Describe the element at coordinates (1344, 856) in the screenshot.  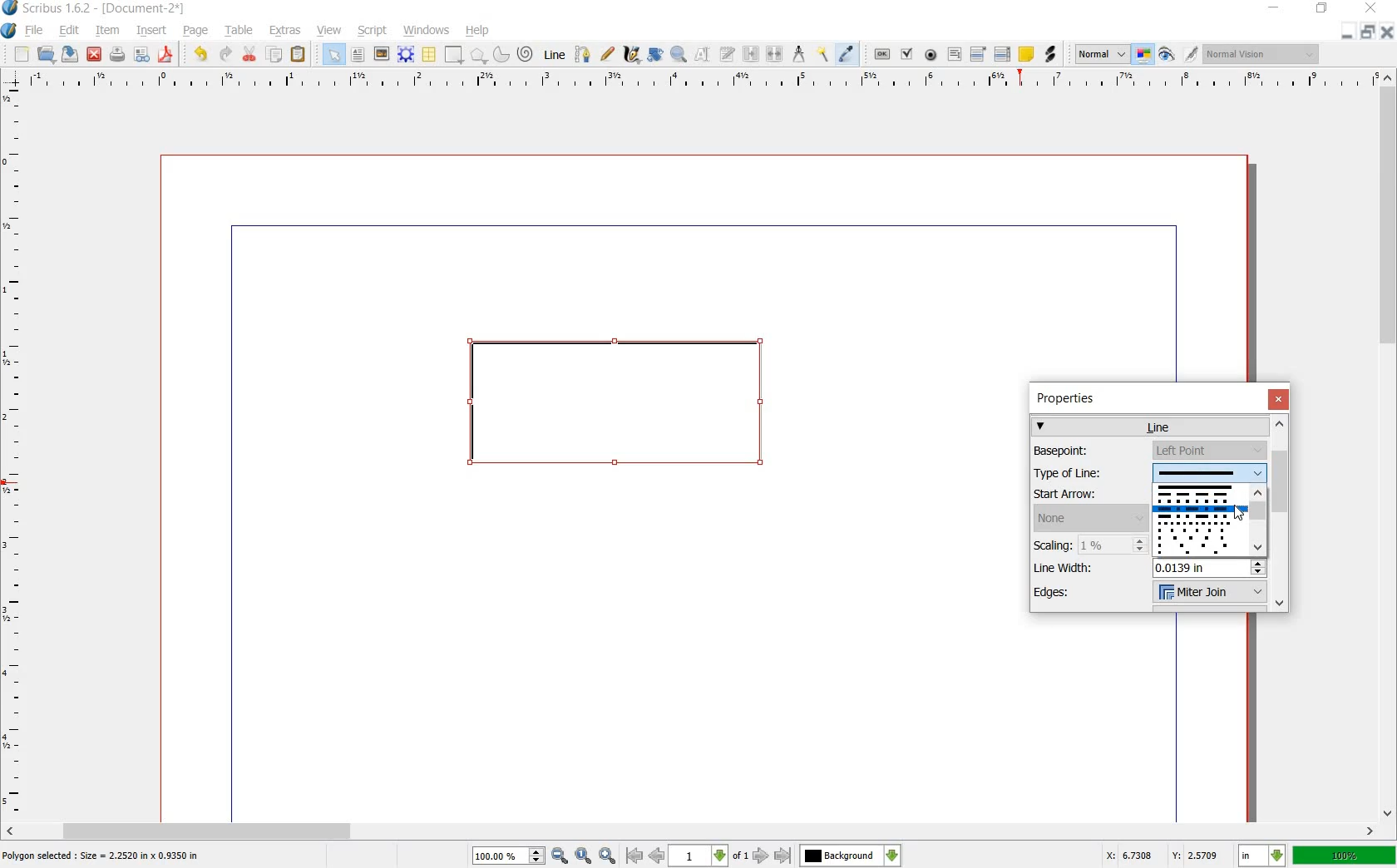
I see `100%` at that location.